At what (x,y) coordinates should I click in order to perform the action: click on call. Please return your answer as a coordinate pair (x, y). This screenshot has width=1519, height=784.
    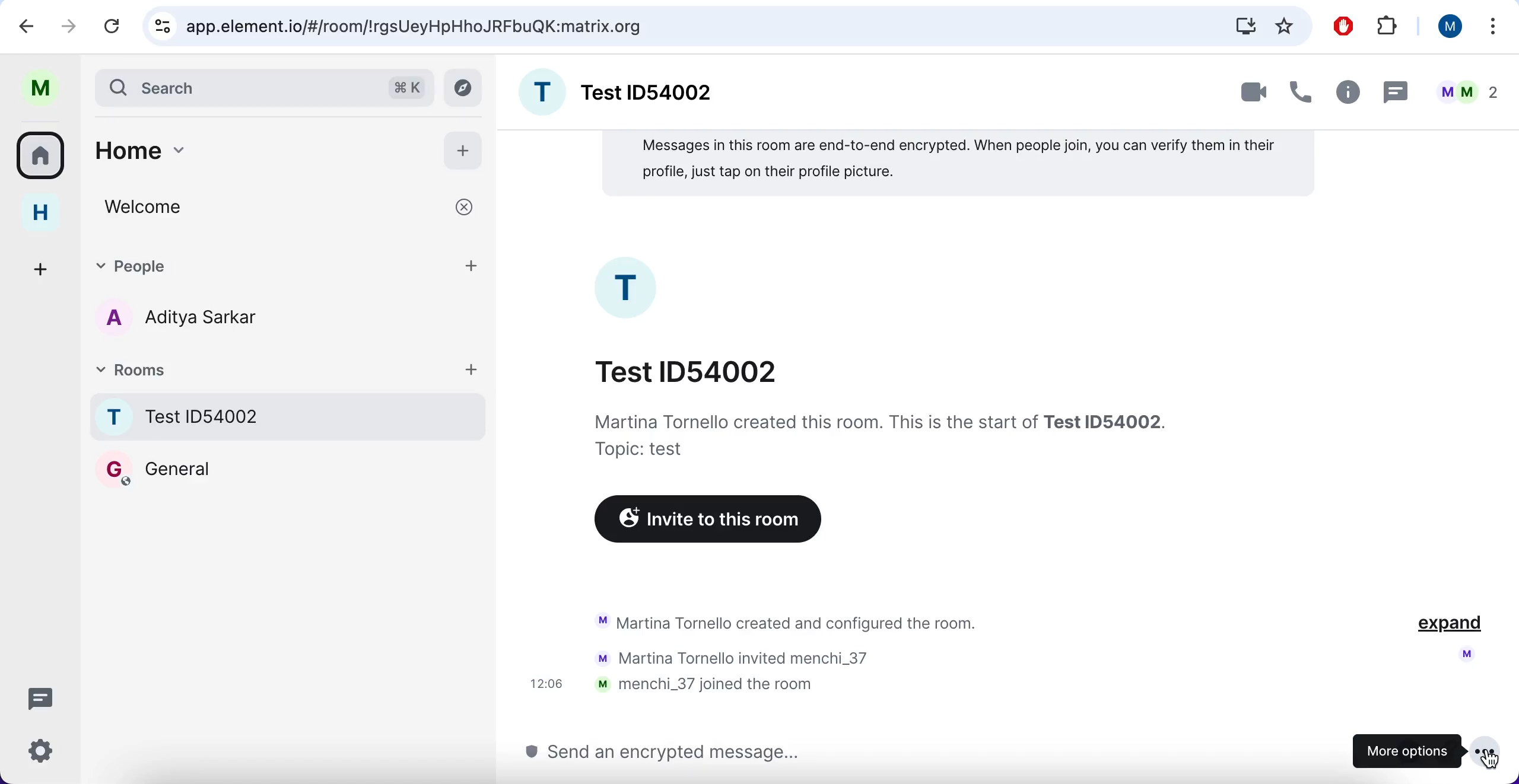
    Looking at the image, I should click on (1302, 88).